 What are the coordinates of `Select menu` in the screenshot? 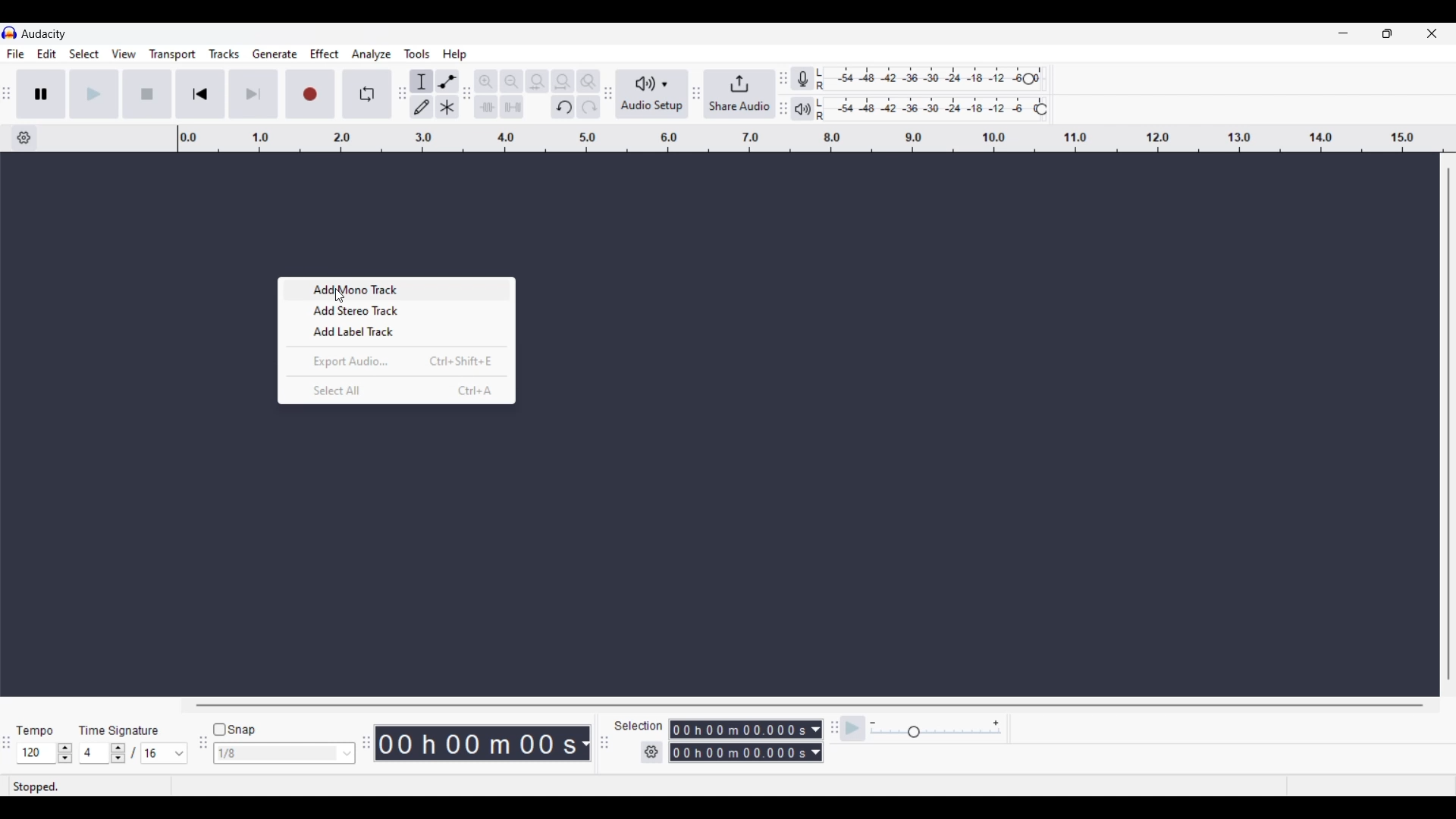 It's located at (84, 55).